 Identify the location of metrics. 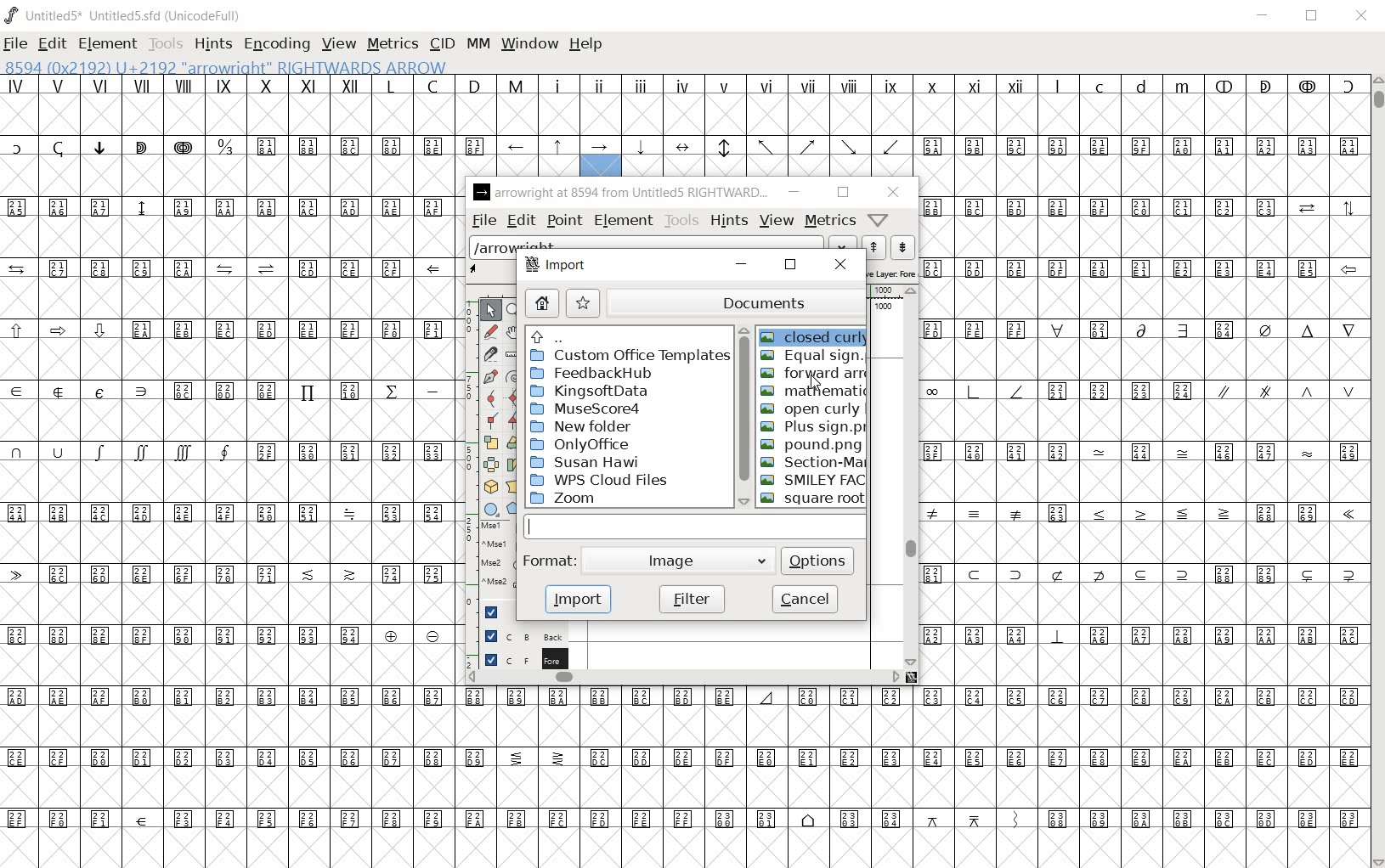
(831, 219).